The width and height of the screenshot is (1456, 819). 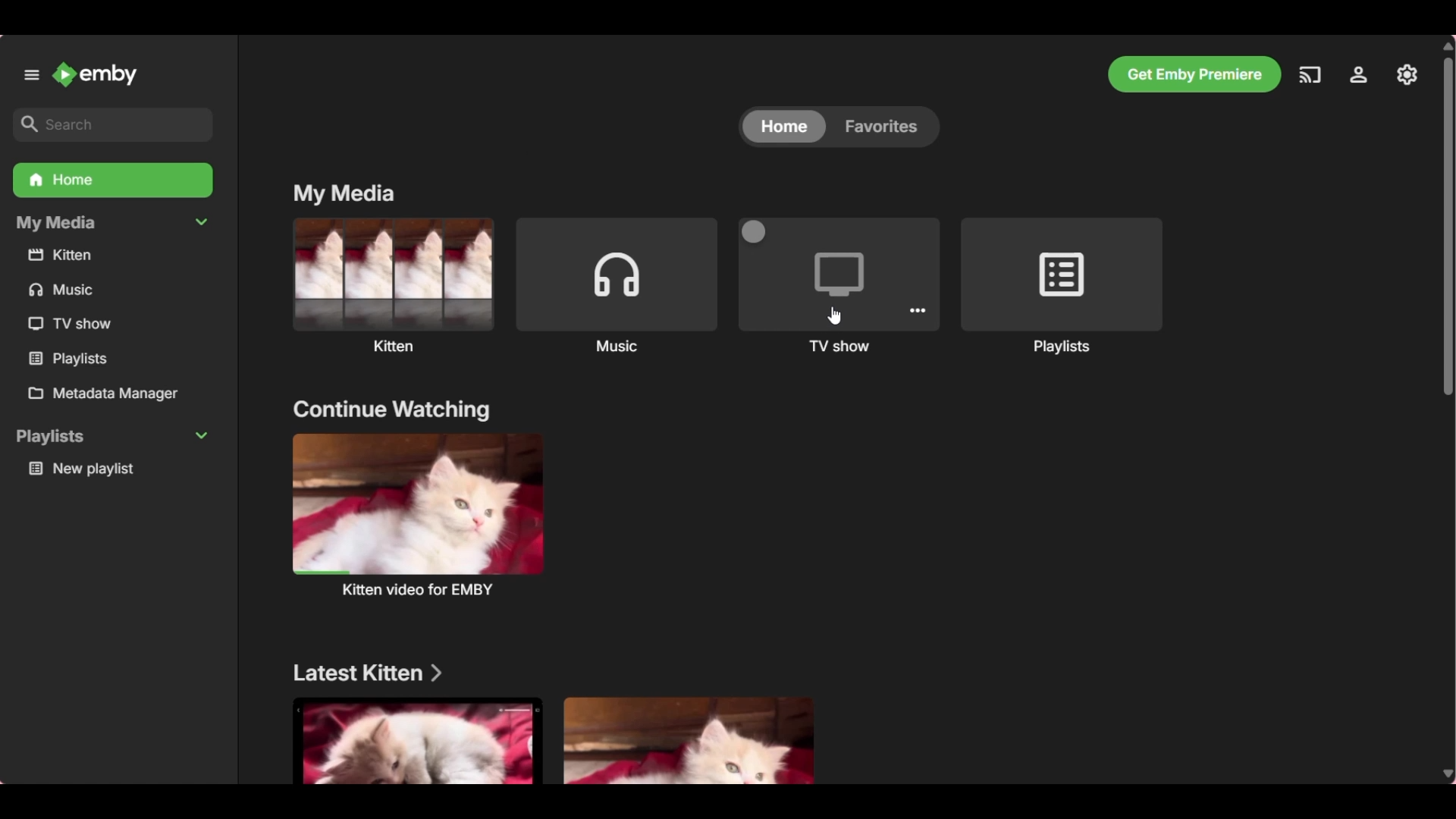 I want to click on  favorites, so click(x=886, y=127).